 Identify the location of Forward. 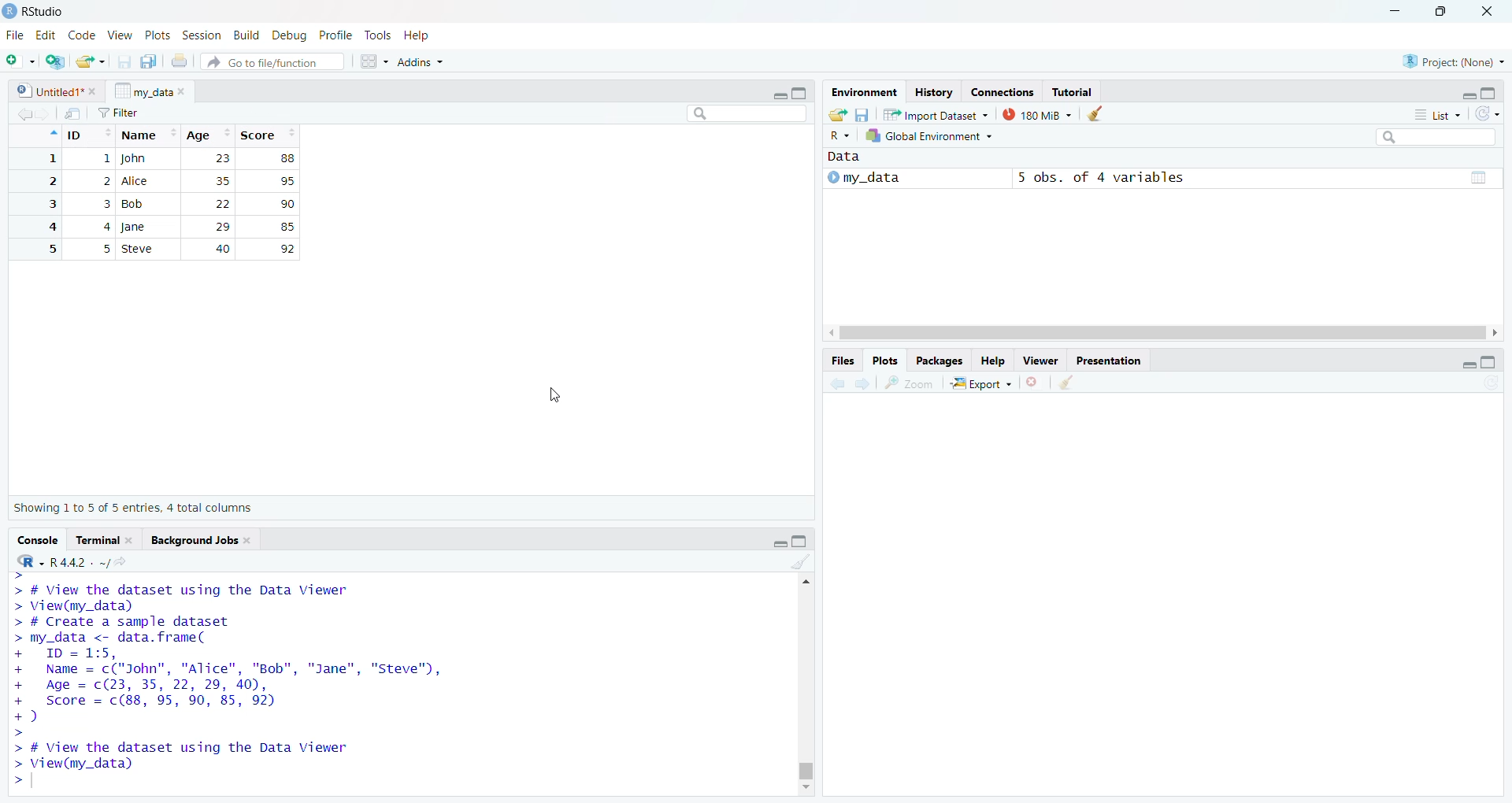
(862, 386).